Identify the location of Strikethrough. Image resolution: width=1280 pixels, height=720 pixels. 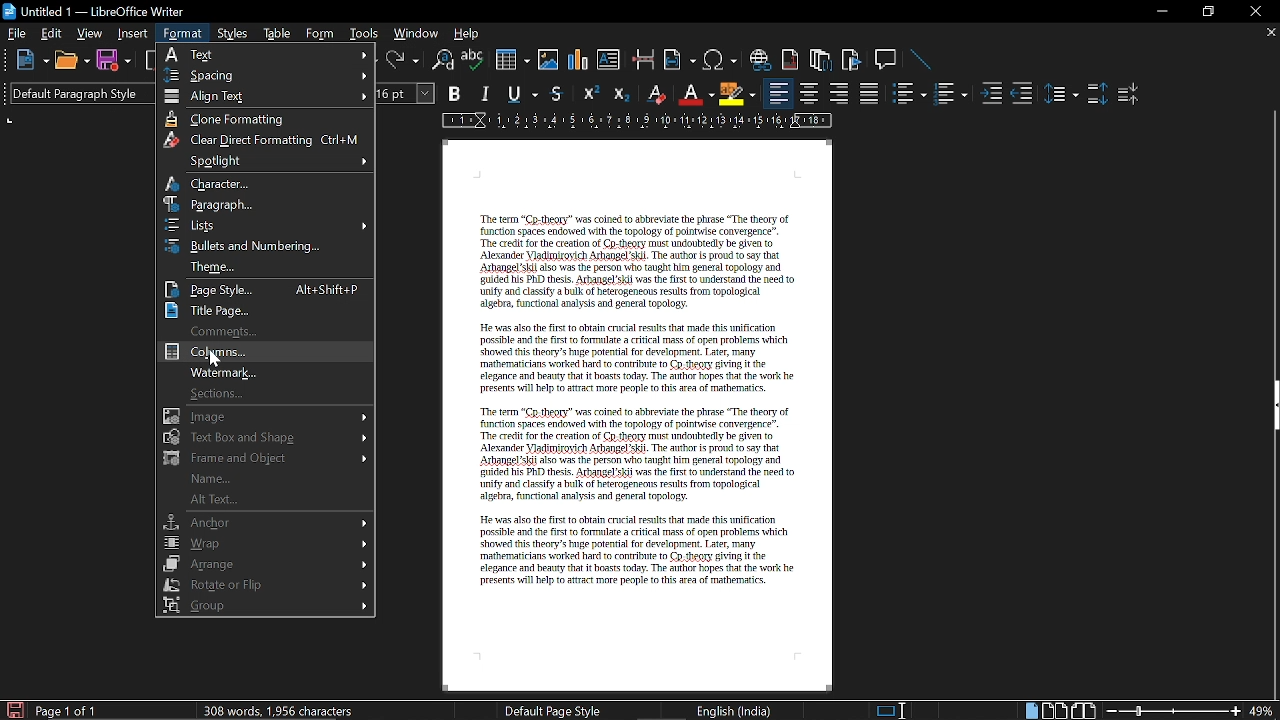
(561, 94).